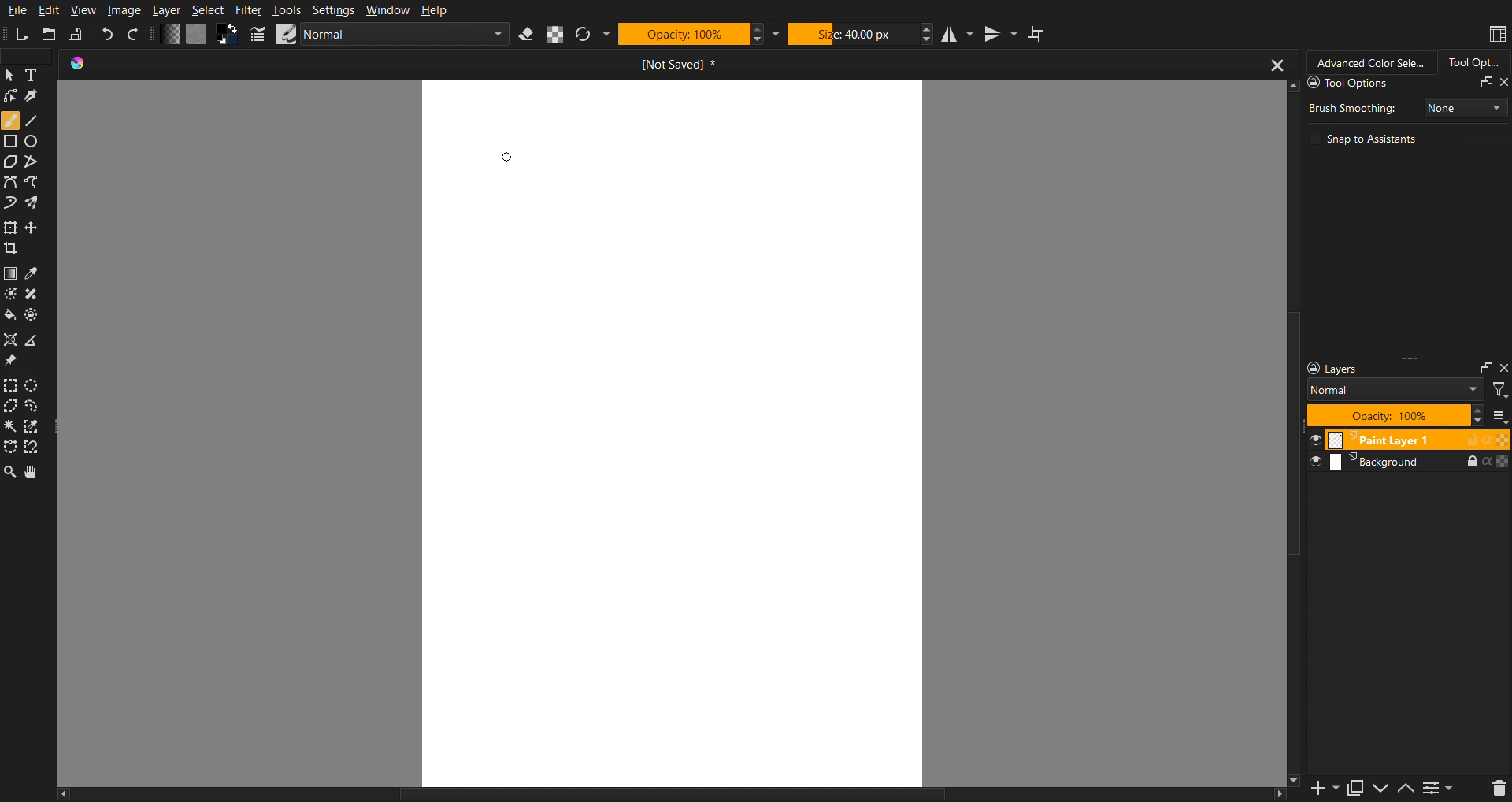  I want to click on Linework, so click(11, 97).